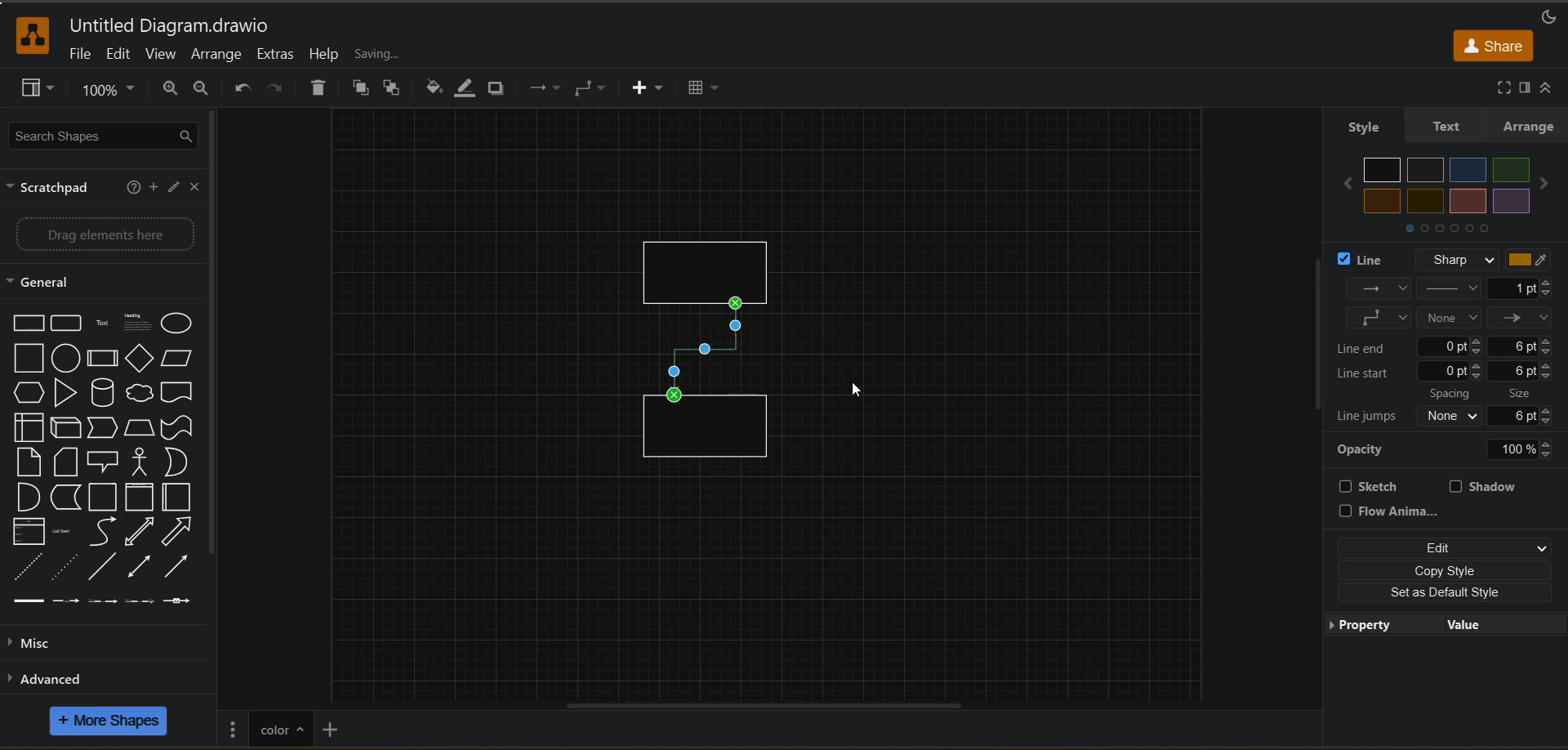 The height and width of the screenshot is (750, 1568). What do you see at coordinates (278, 55) in the screenshot?
I see `extras` at bounding box center [278, 55].